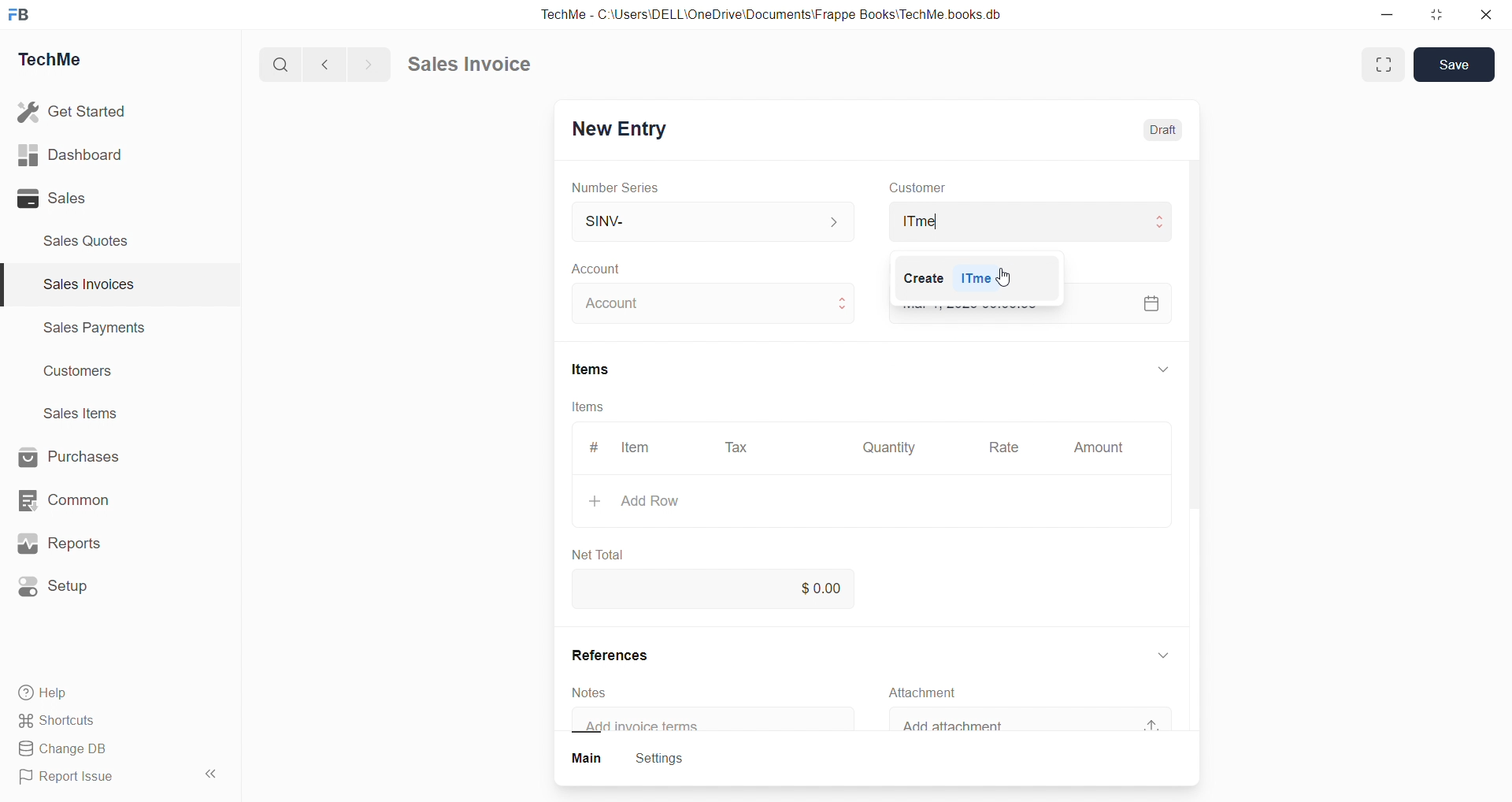 The height and width of the screenshot is (802, 1512). Describe the element at coordinates (87, 330) in the screenshot. I see `Sales Payments` at that location.